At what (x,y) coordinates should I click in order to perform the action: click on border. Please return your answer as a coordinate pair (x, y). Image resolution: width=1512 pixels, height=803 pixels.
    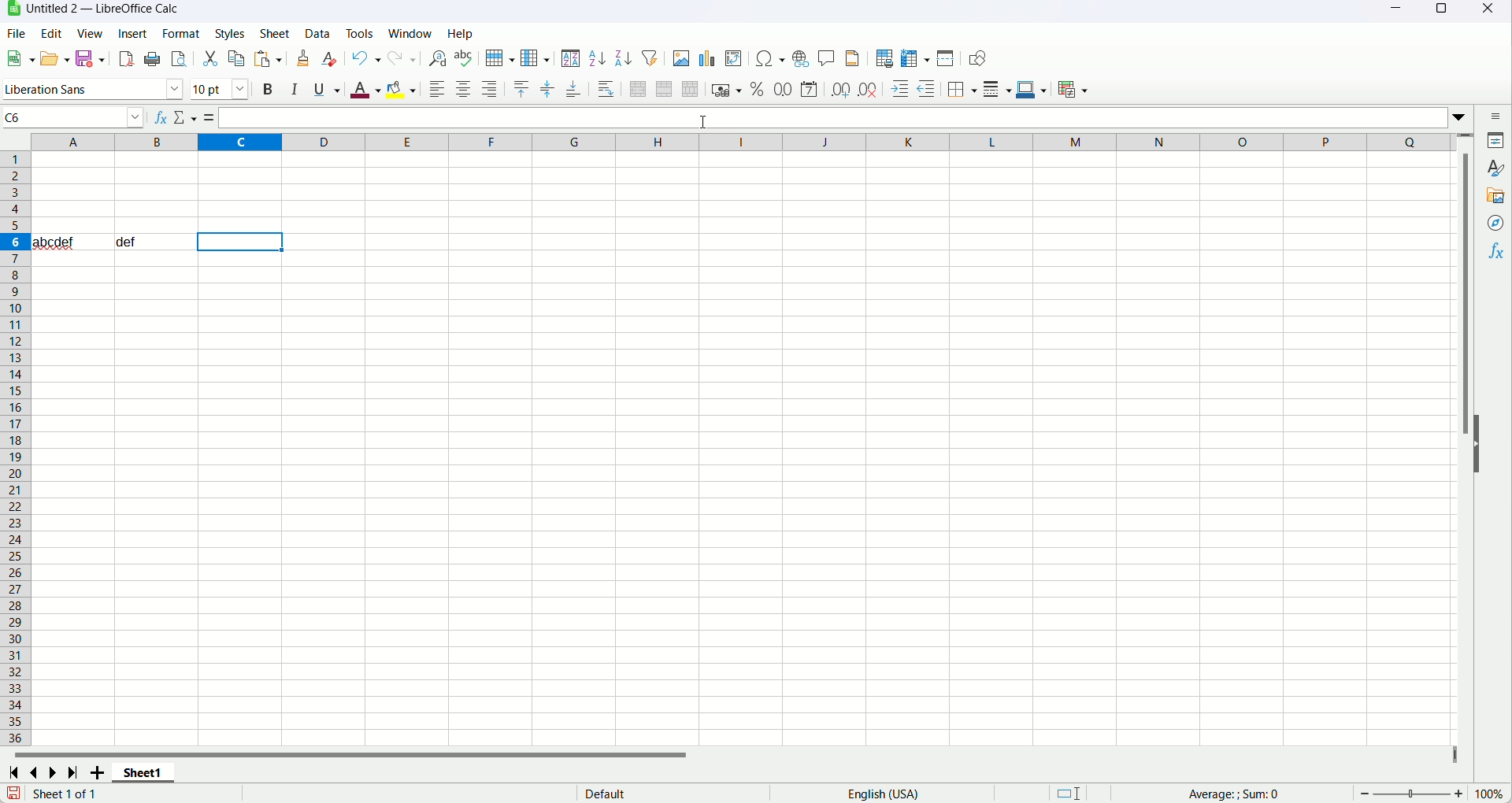
    Looking at the image, I should click on (962, 90).